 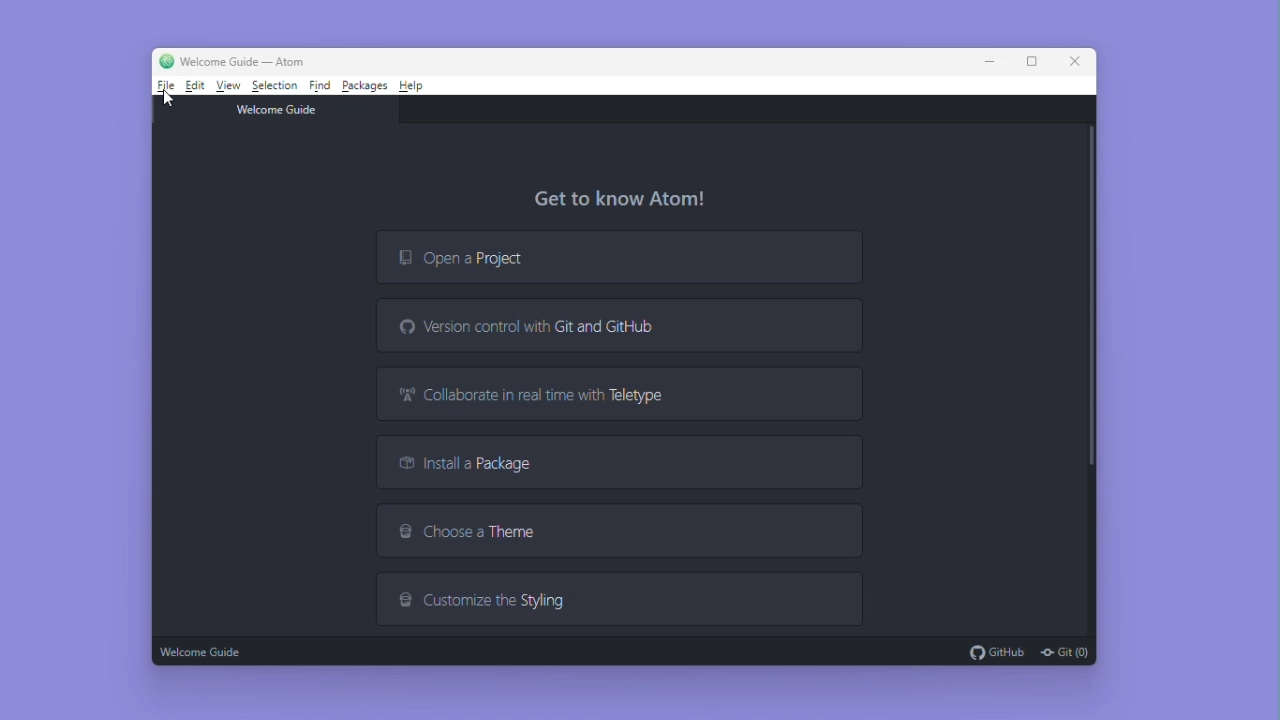 I want to click on Selection, so click(x=276, y=86).